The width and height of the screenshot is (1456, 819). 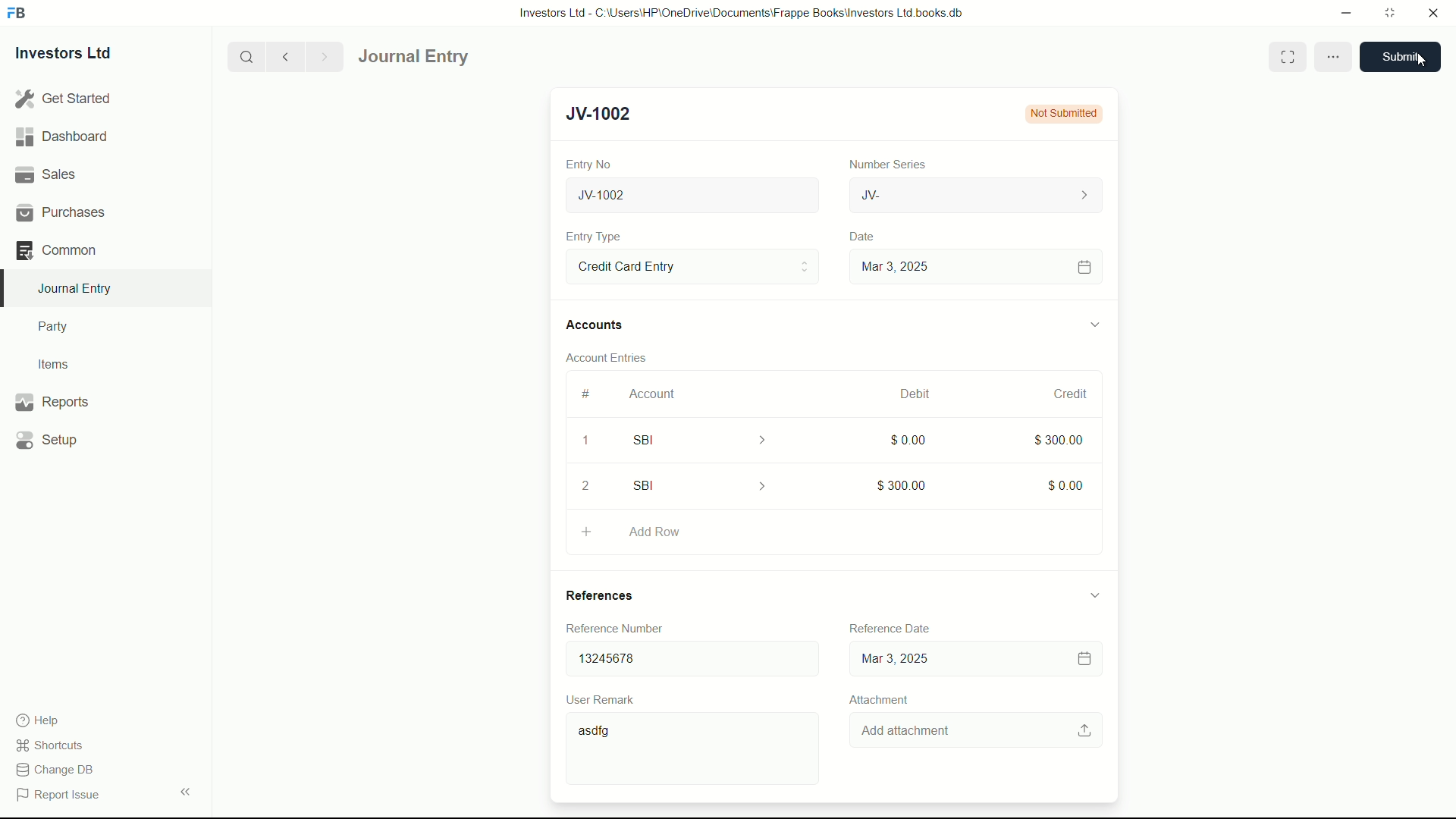 What do you see at coordinates (653, 394) in the screenshot?
I see `Account` at bounding box center [653, 394].